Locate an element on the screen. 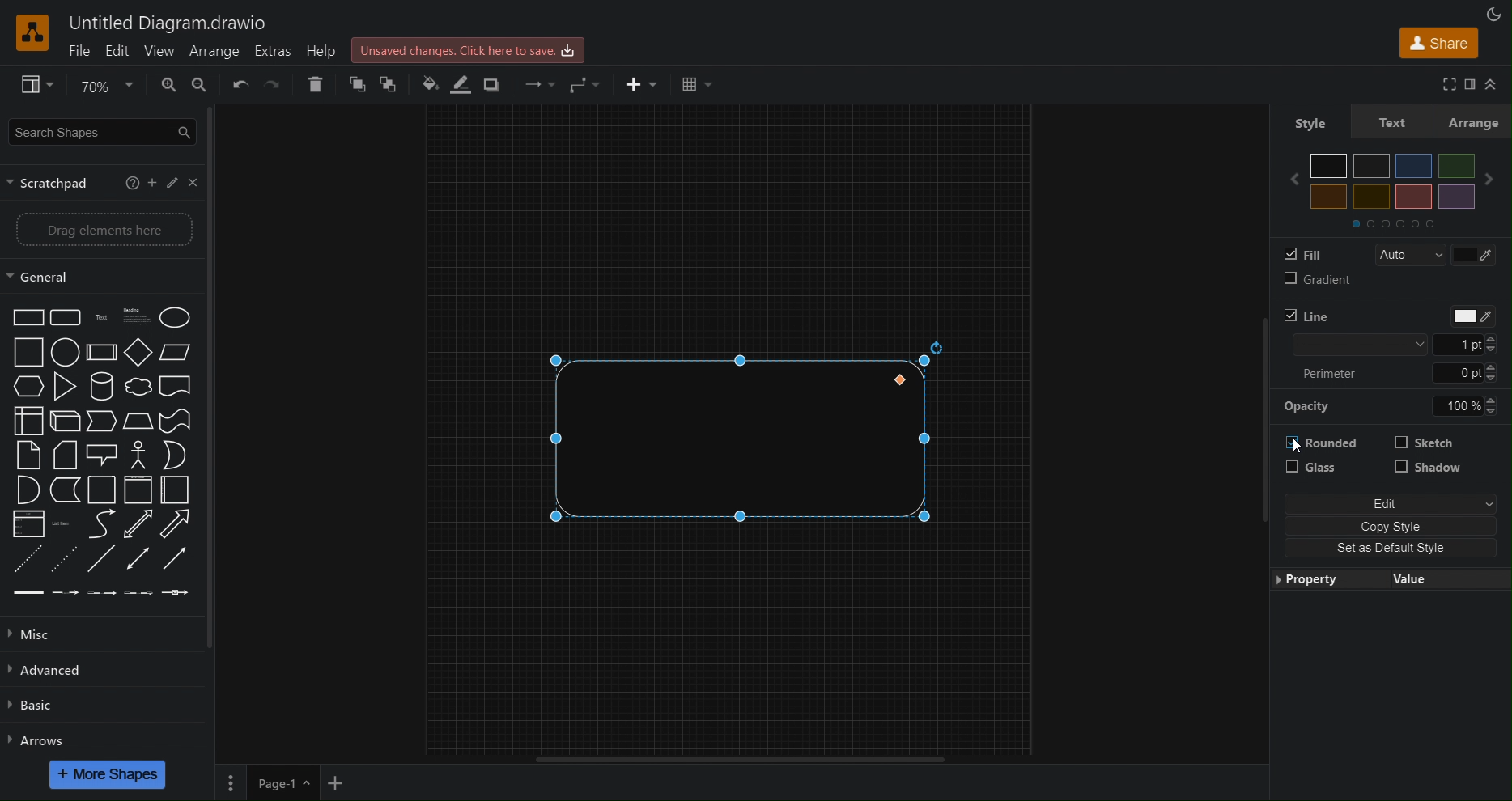  close is located at coordinates (196, 182).